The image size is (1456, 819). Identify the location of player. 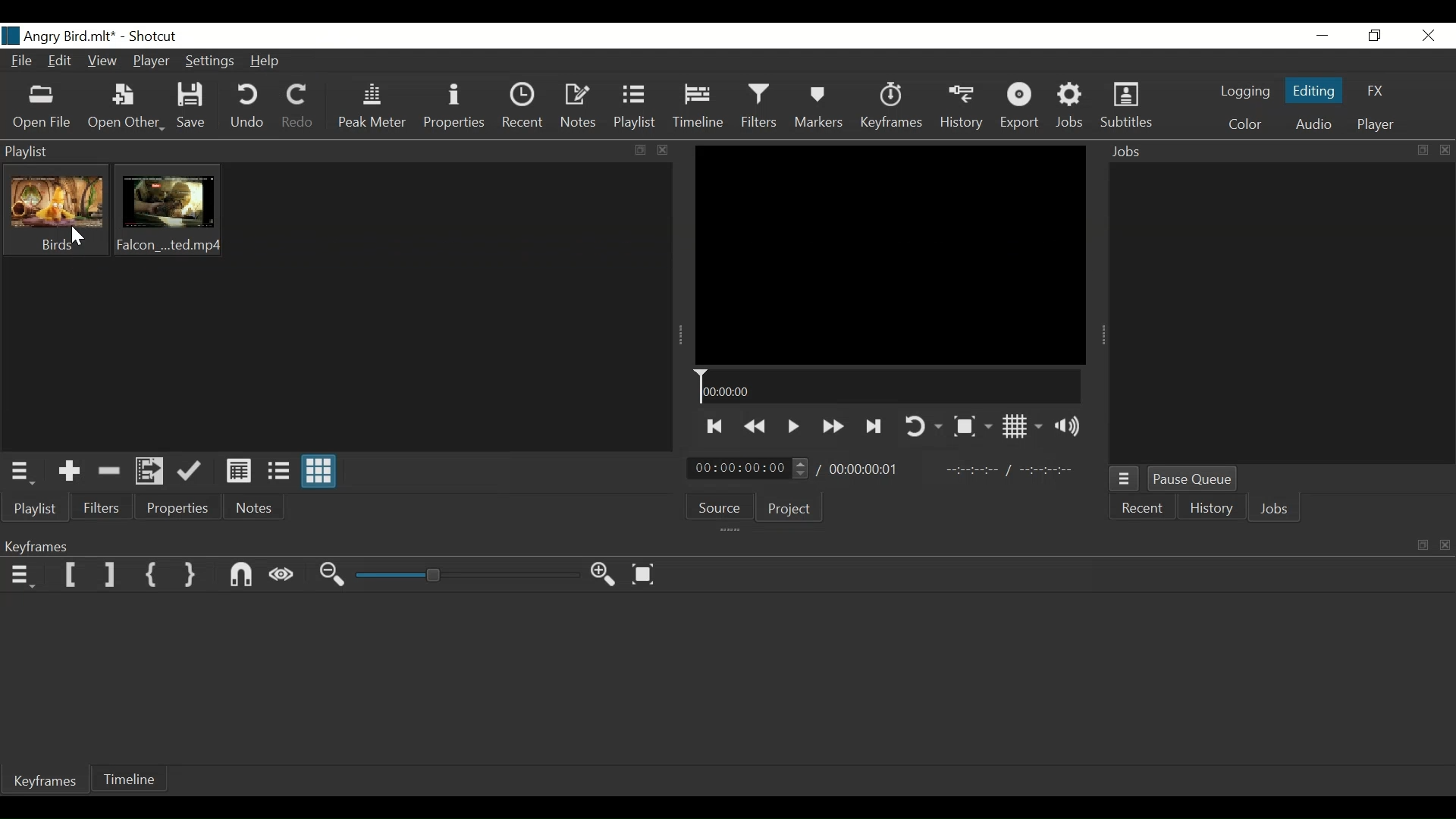
(1373, 127).